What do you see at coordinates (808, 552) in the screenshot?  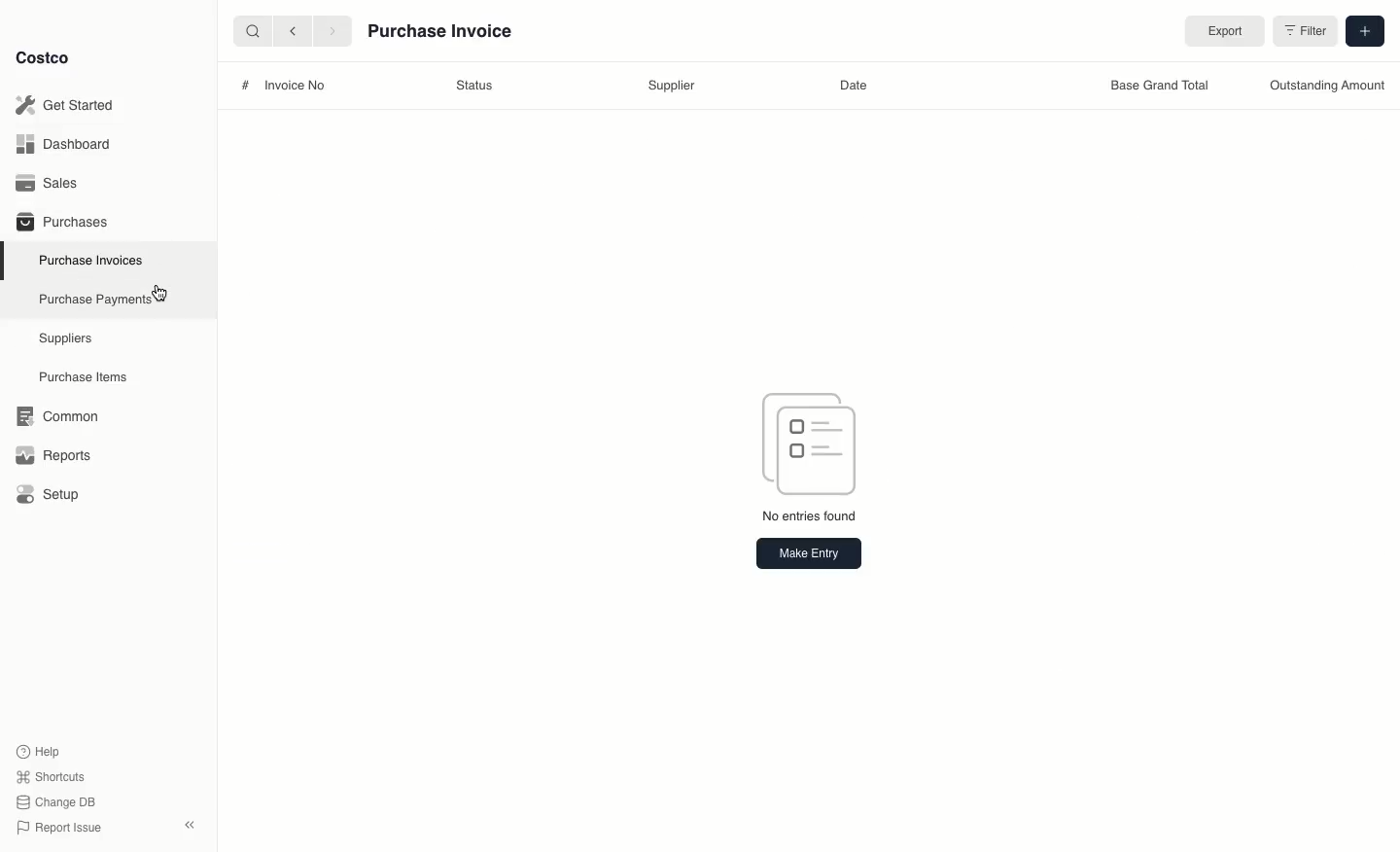 I see `Make Entry` at bounding box center [808, 552].